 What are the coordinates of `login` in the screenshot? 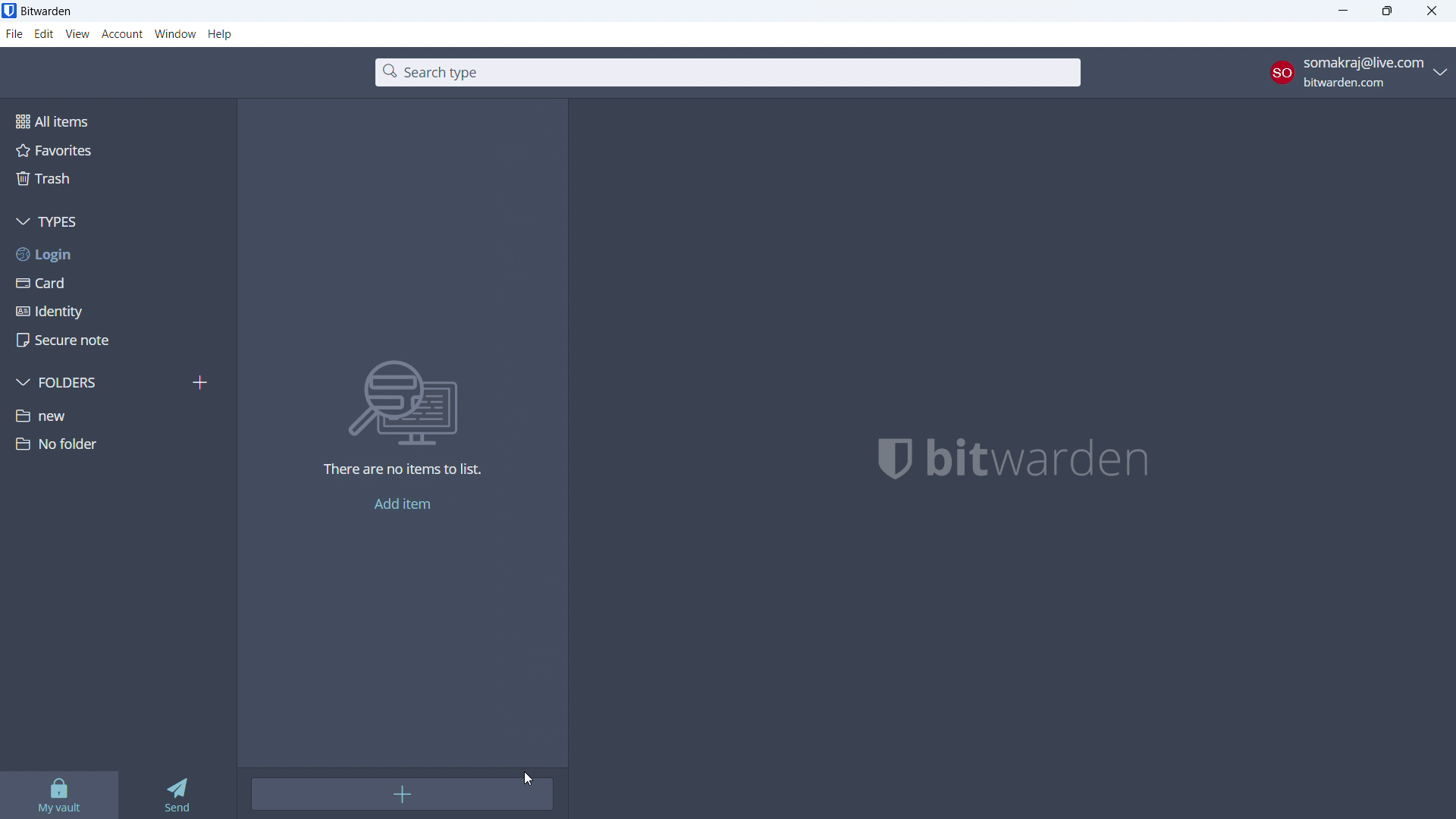 It's located at (118, 254).